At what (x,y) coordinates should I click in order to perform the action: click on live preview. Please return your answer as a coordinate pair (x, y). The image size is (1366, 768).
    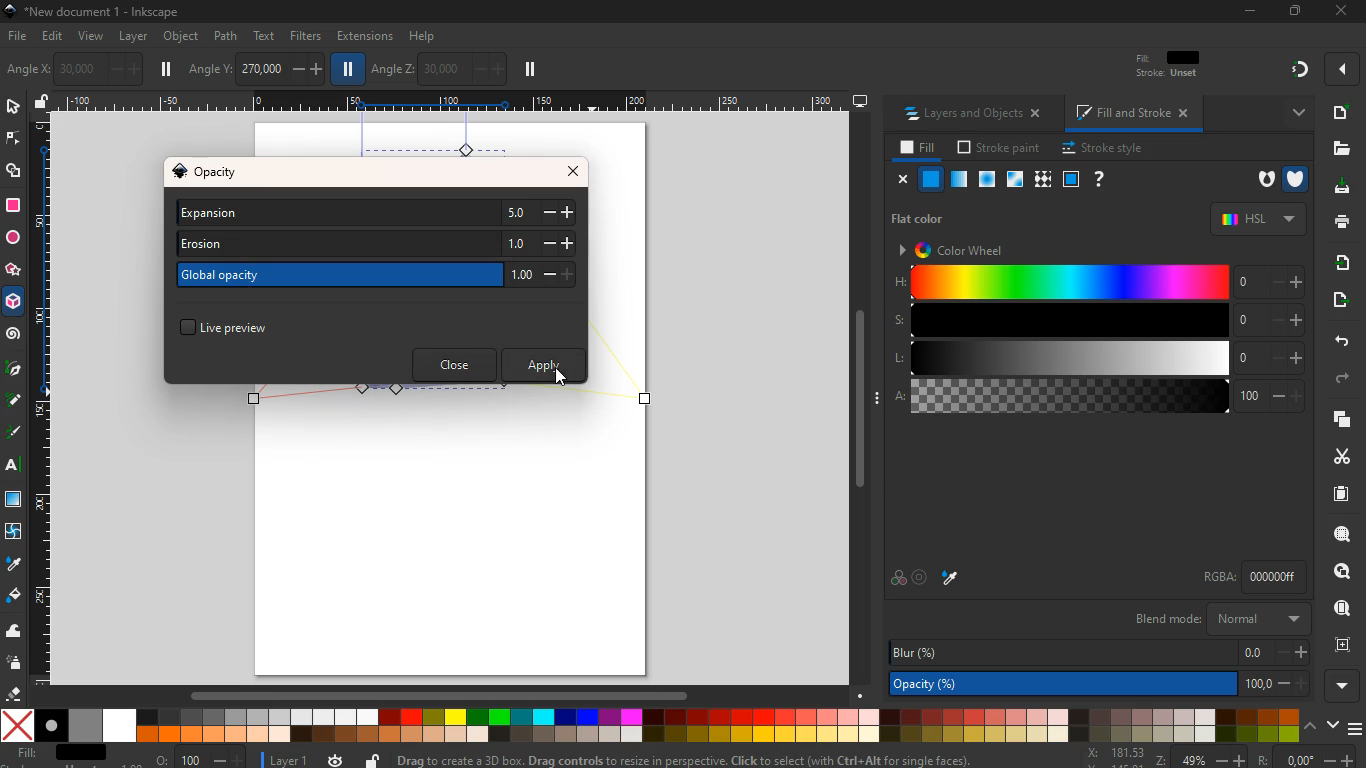
    Looking at the image, I should click on (241, 325).